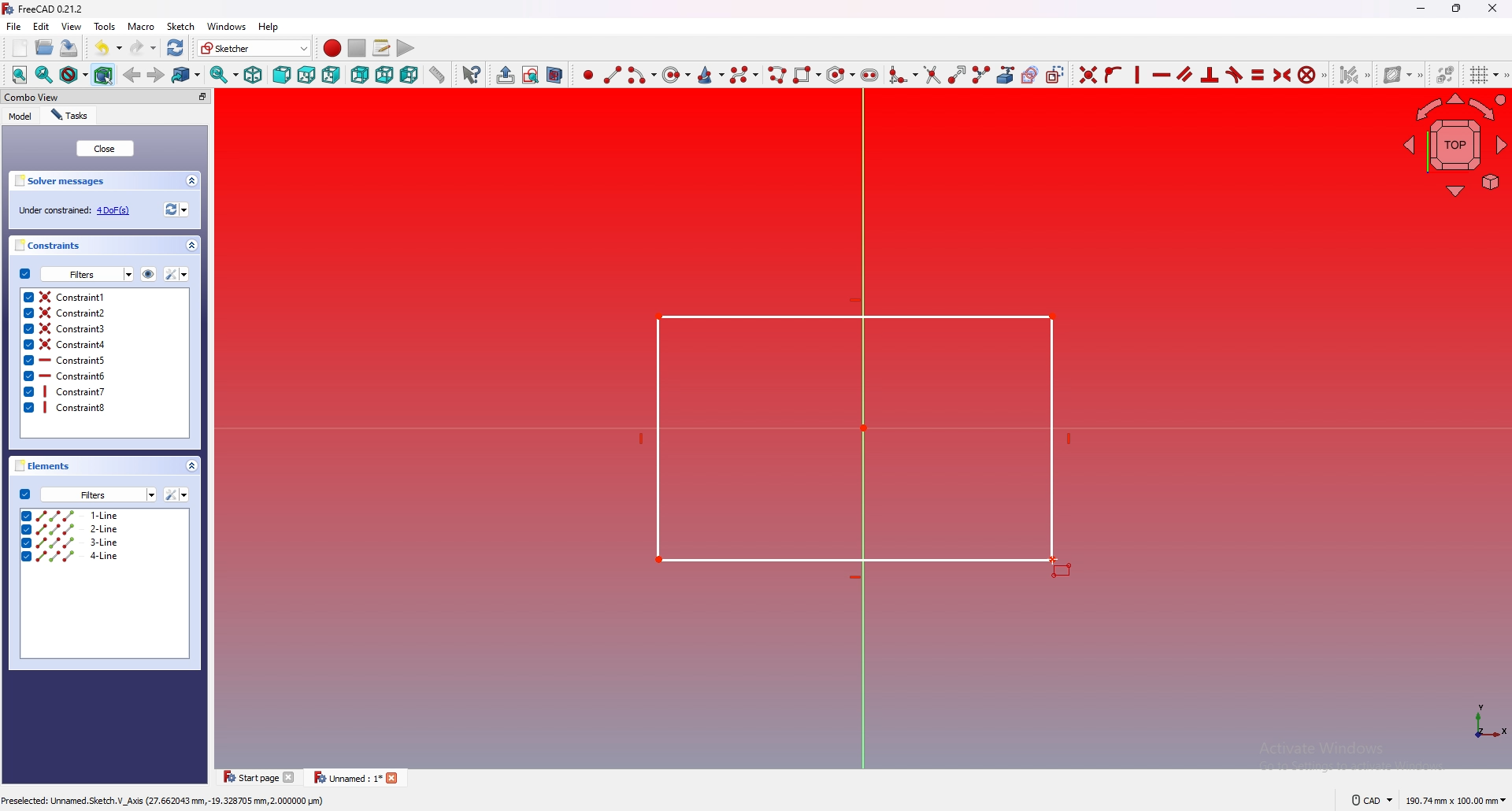 The height and width of the screenshot is (811, 1512). What do you see at coordinates (87, 494) in the screenshot?
I see `filters` at bounding box center [87, 494].